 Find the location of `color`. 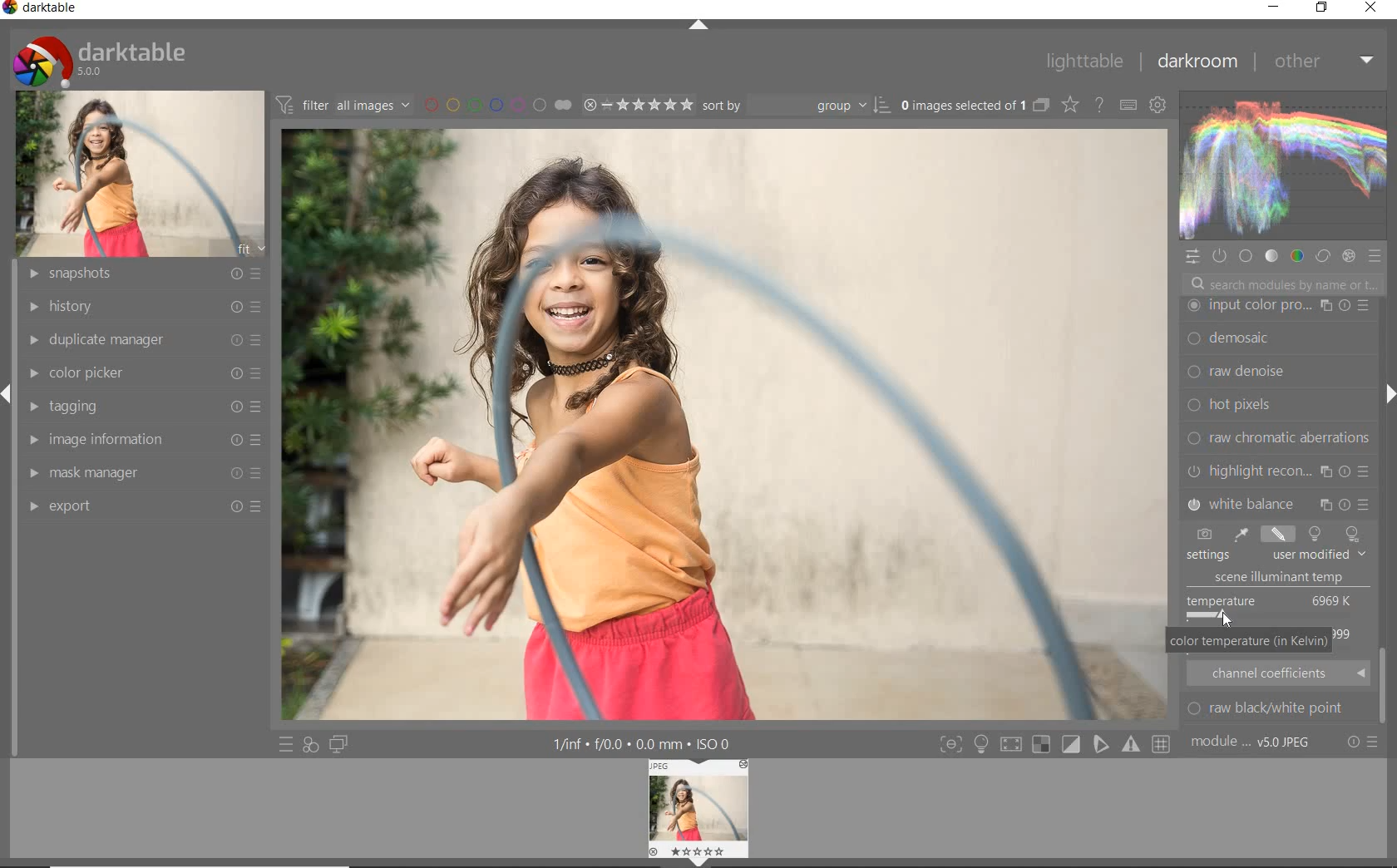

color is located at coordinates (1296, 255).